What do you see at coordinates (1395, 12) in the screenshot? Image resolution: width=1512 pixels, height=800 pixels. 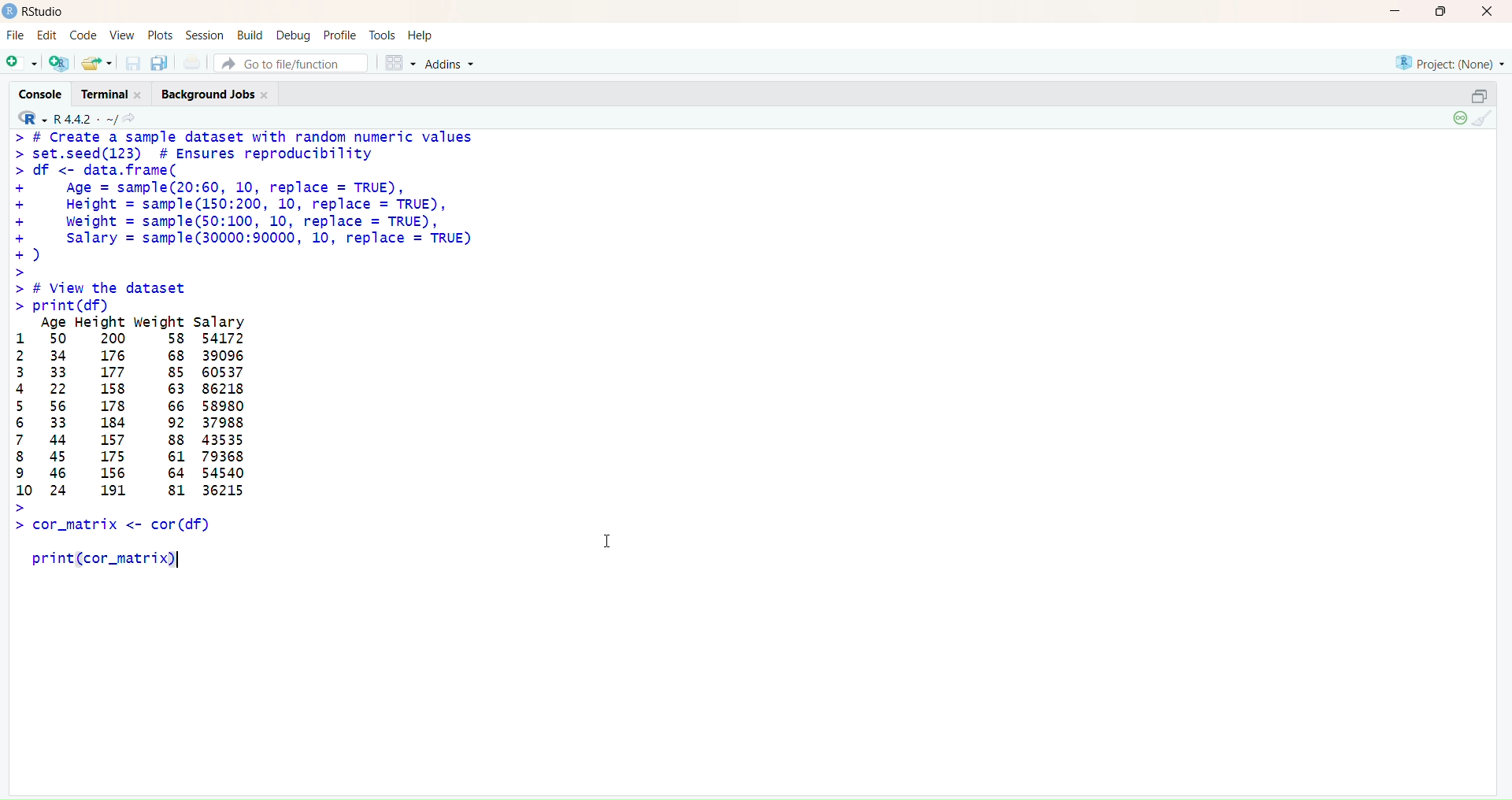 I see `Minimize` at bounding box center [1395, 12].